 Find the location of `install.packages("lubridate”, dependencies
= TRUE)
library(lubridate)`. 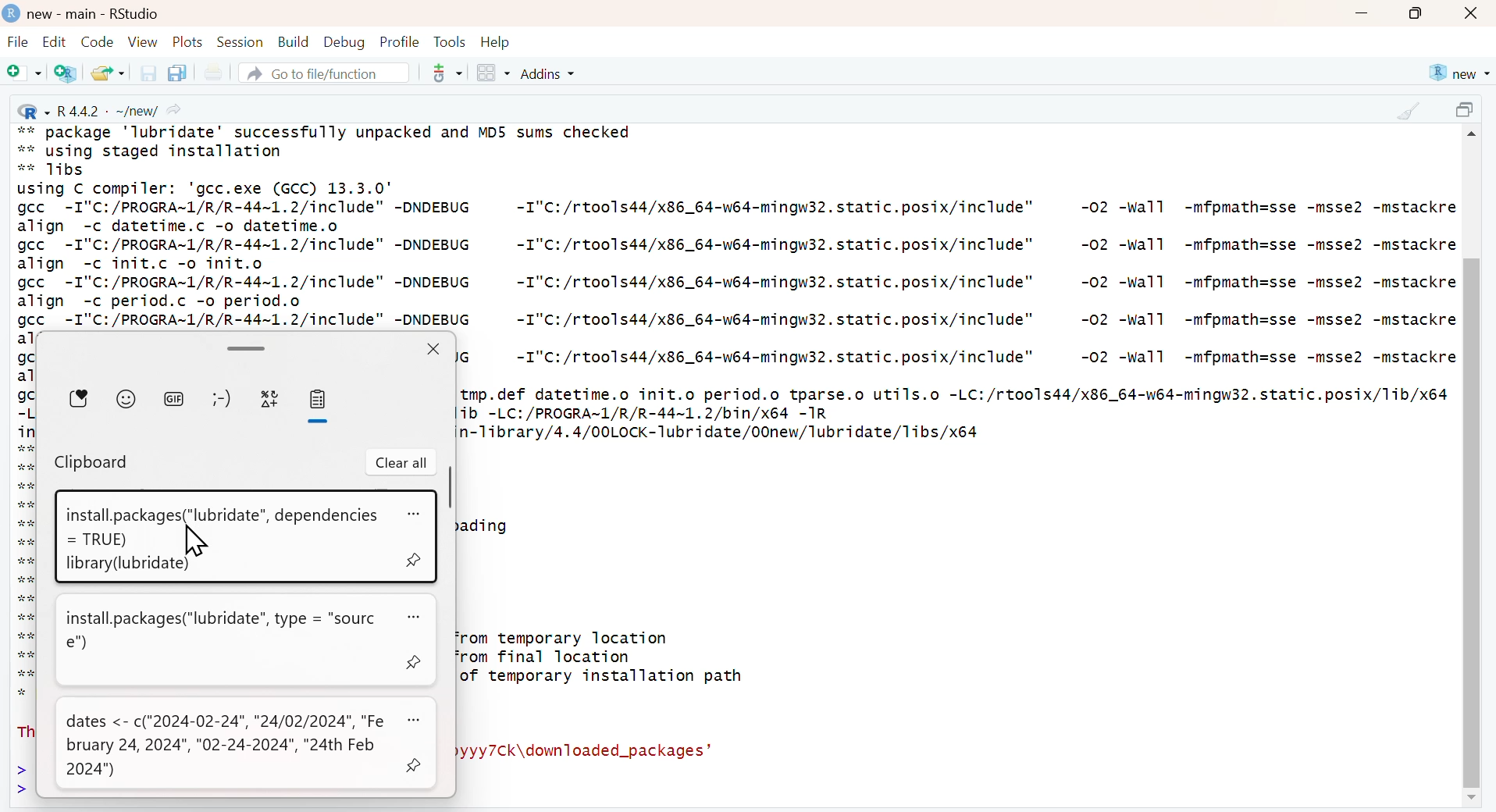

install.packages("lubridate”, dependencies
= TRUE)
library(lubridate) is located at coordinates (217, 537).